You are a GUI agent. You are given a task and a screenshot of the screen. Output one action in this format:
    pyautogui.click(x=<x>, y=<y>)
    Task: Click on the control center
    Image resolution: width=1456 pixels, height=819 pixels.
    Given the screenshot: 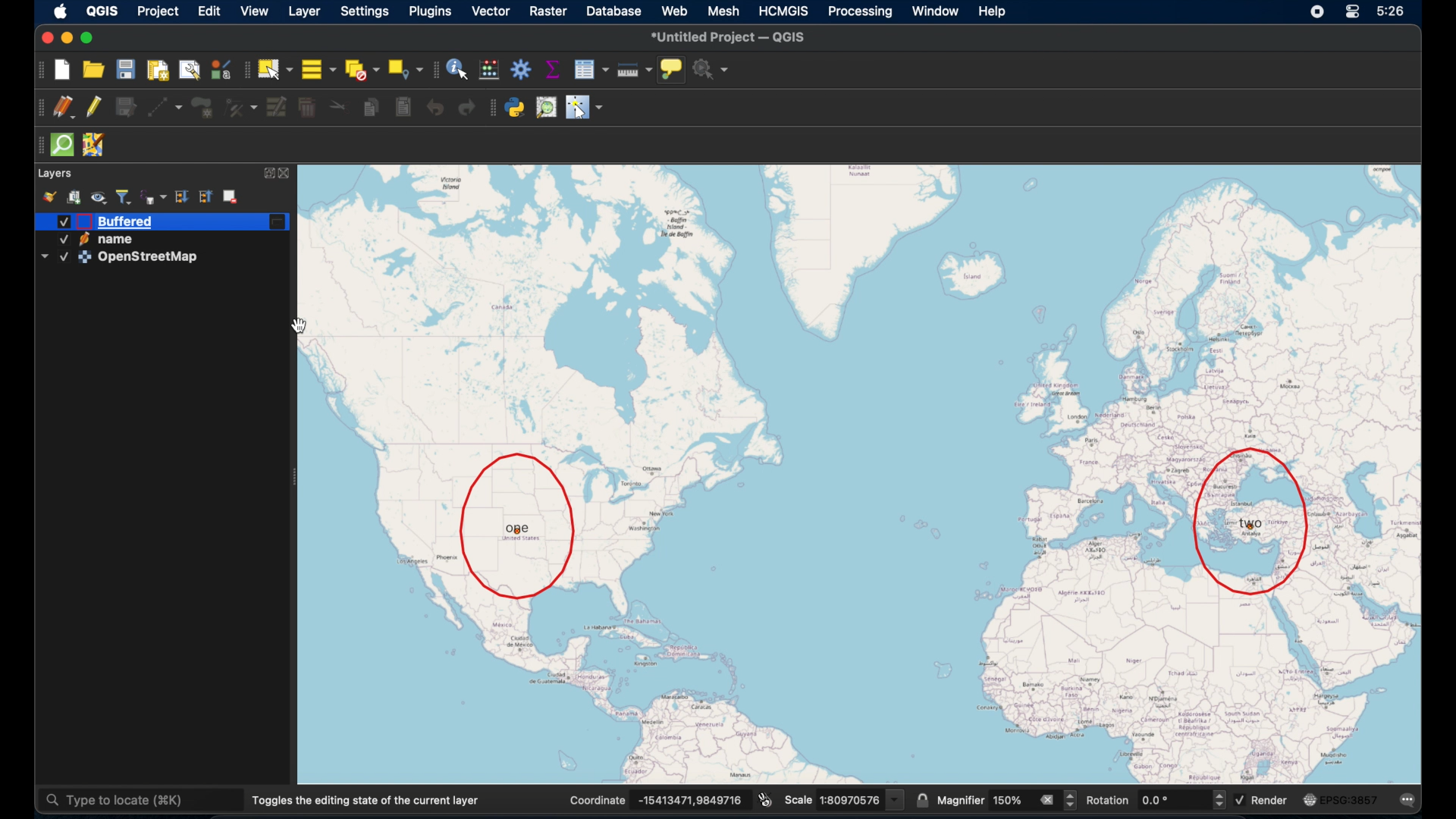 What is the action you would take?
    pyautogui.click(x=1354, y=11)
    